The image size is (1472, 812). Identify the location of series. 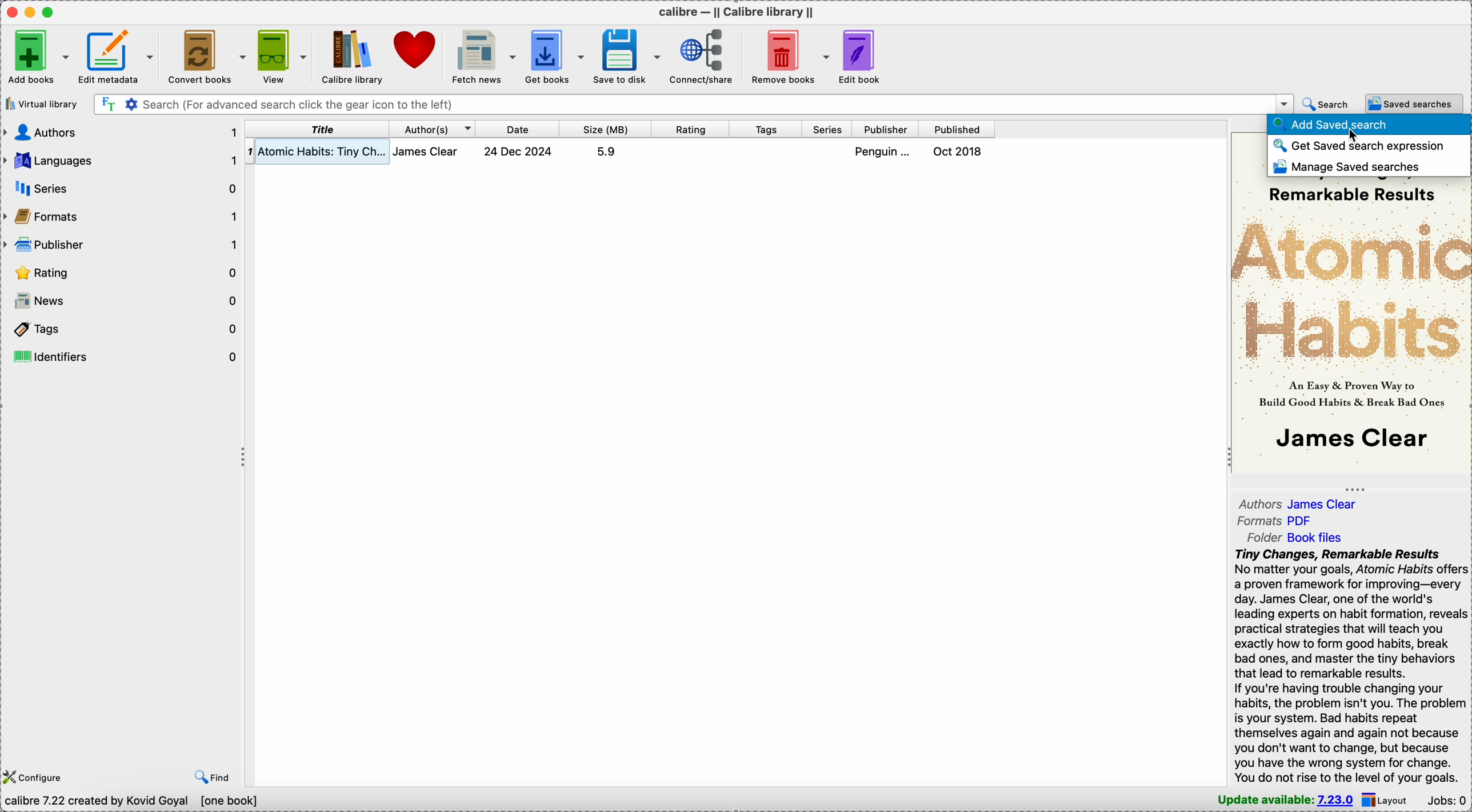
(828, 130).